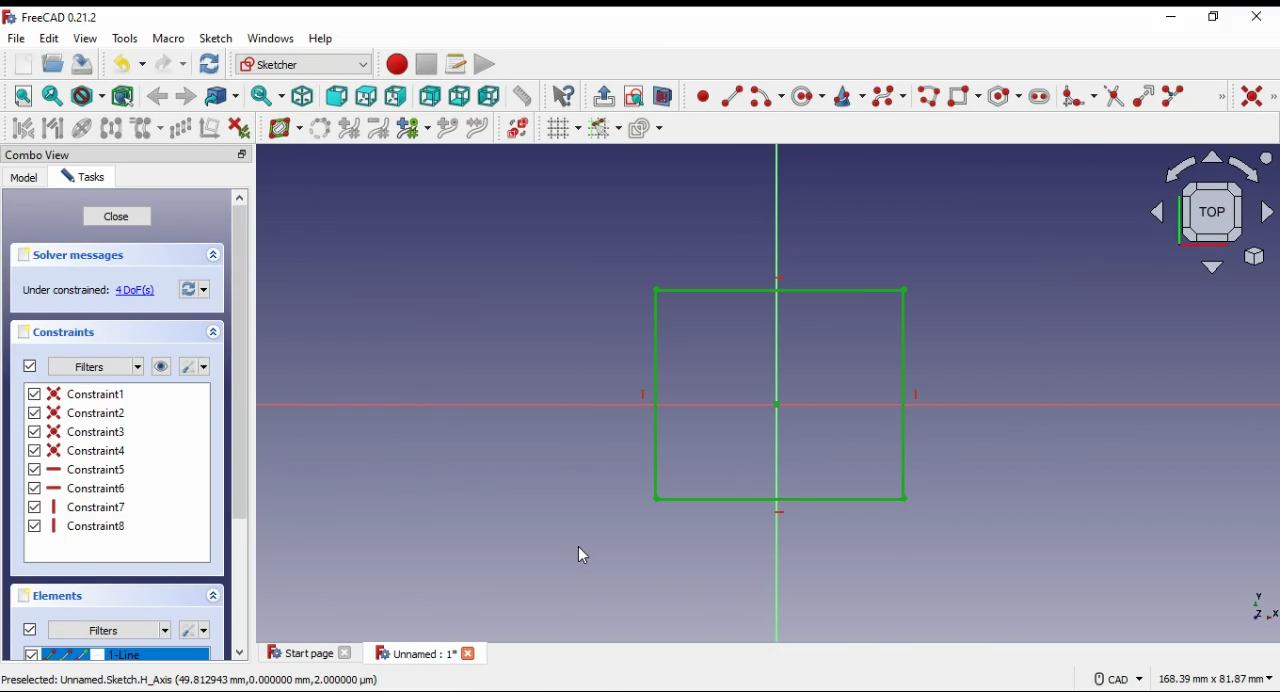  What do you see at coordinates (350, 129) in the screenshot?
I see `increase bspline degree` at bounding box center [350, 129].